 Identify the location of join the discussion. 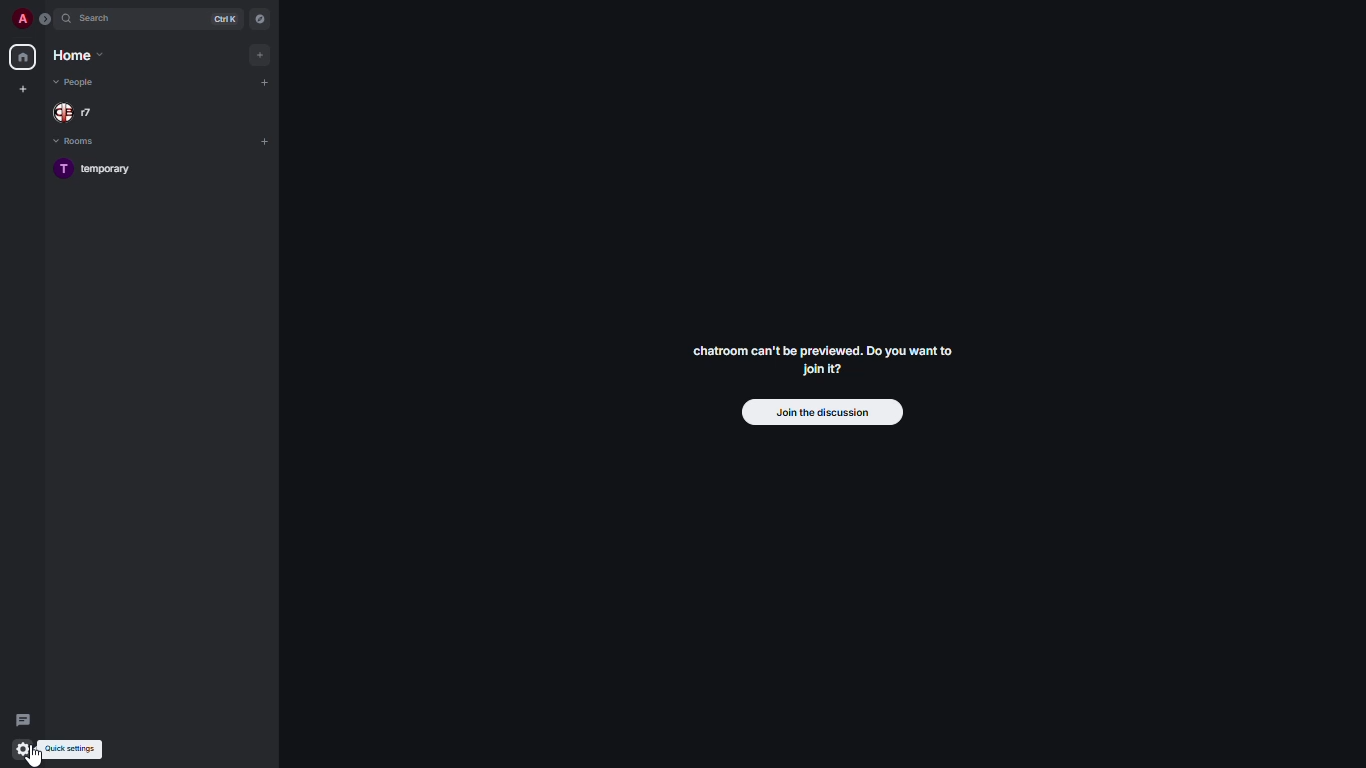
(824, 413).